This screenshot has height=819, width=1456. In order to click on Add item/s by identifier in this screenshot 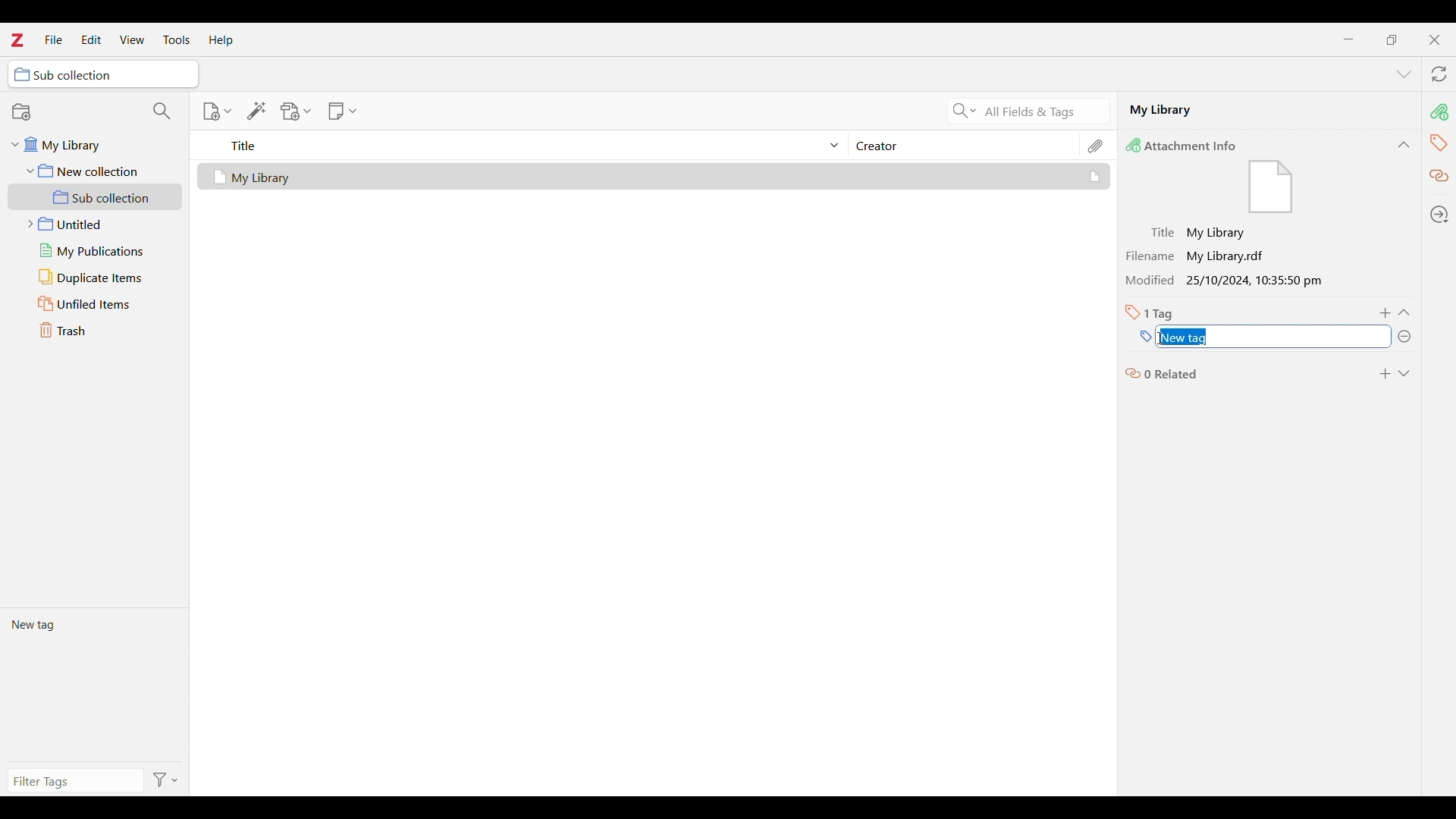, I will do `click(257, 111)`.